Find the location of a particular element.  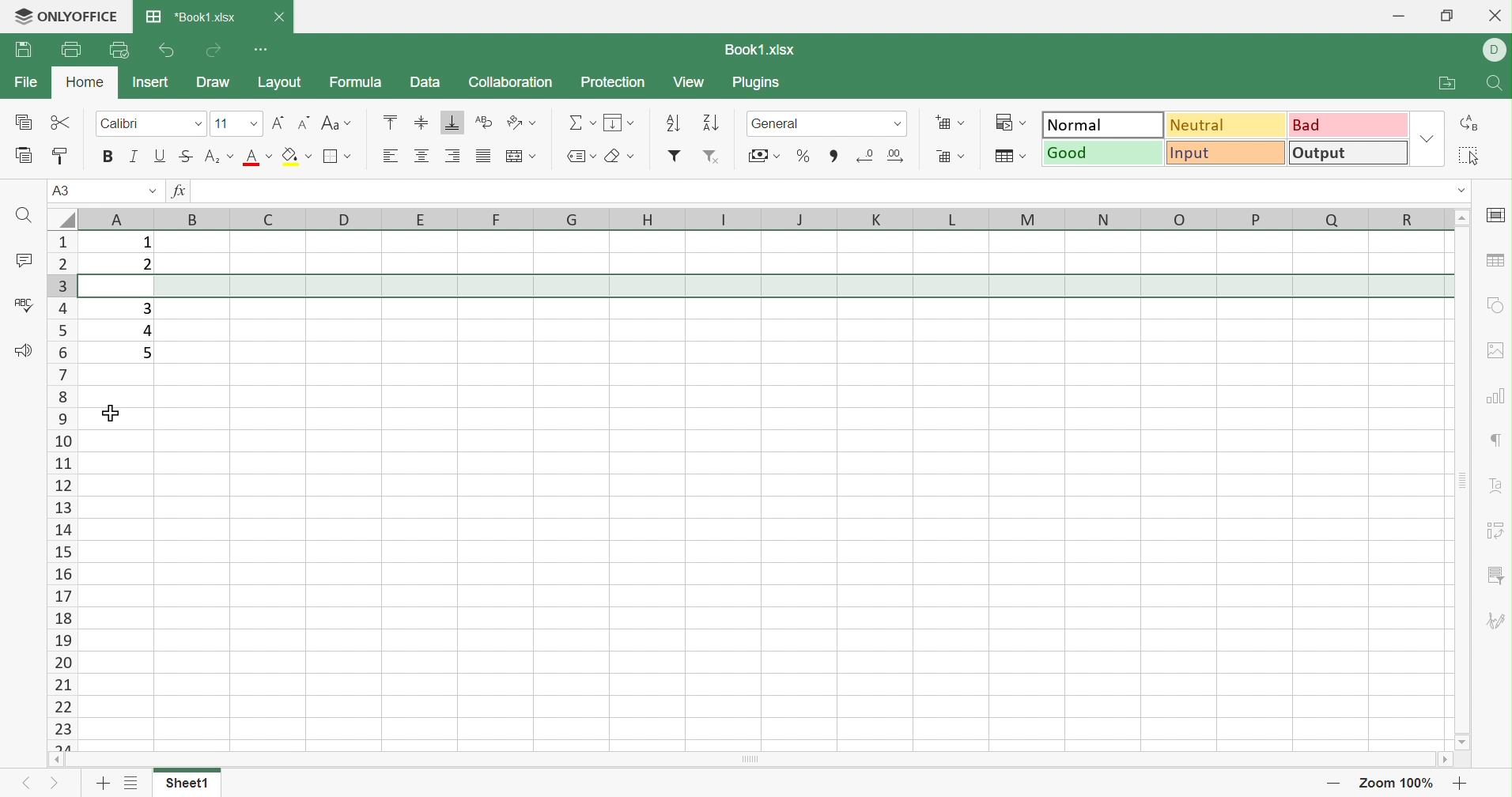

DELL is located at coordinates (1494, 51).